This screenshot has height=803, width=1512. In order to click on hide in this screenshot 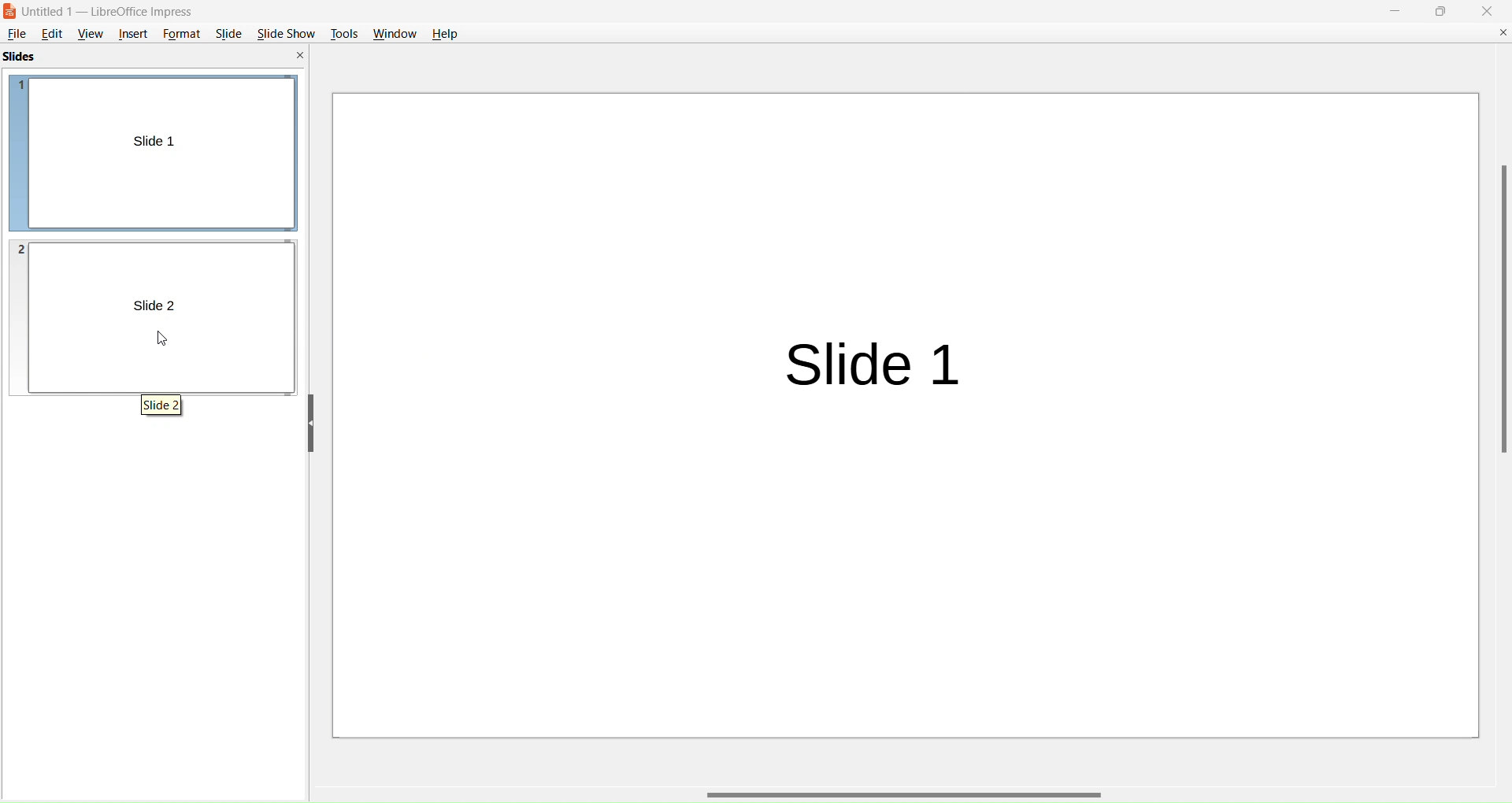, I will do `click(311, 424)`.